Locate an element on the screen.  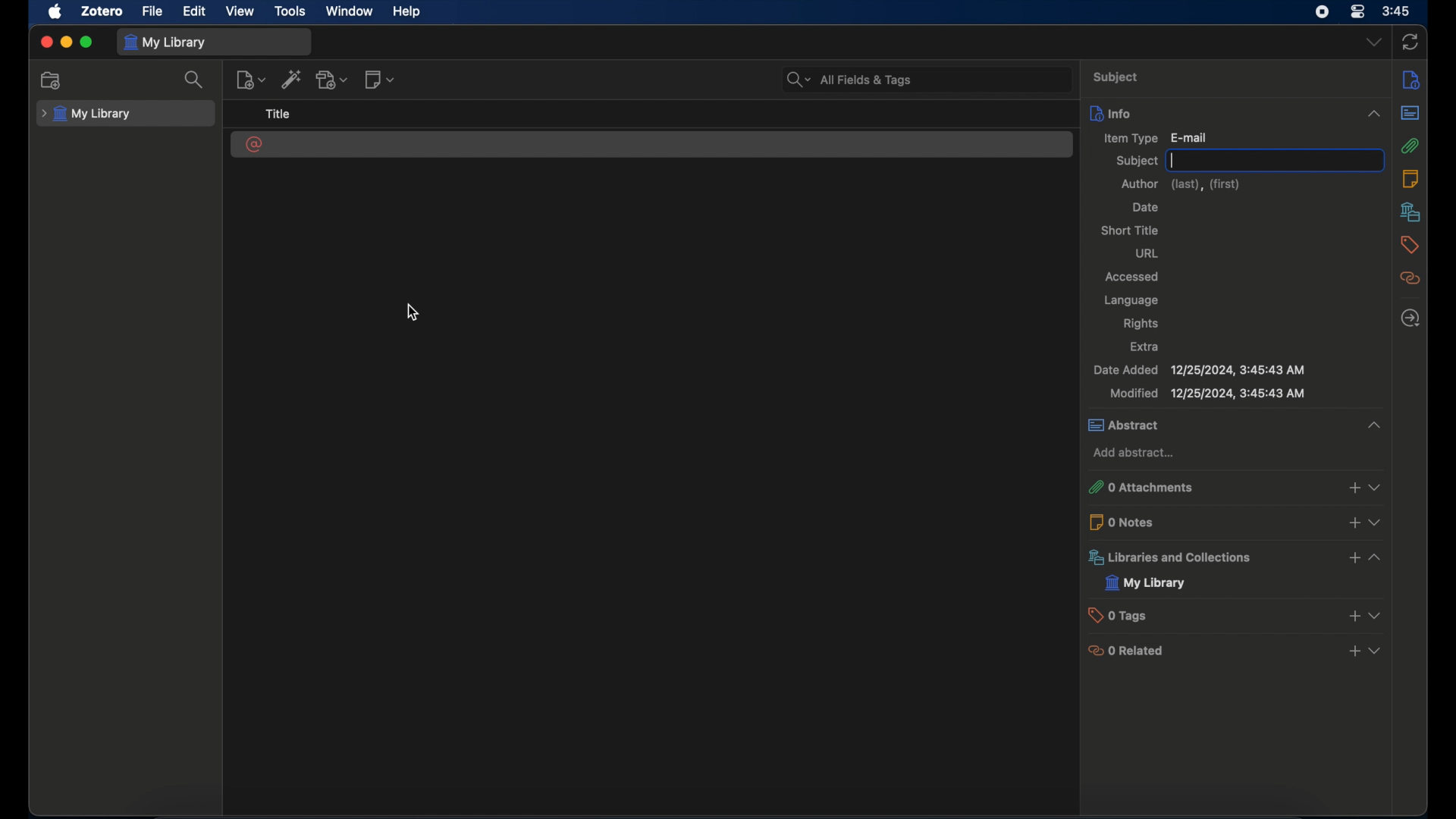
item type is located at coordinates (1155, 137).